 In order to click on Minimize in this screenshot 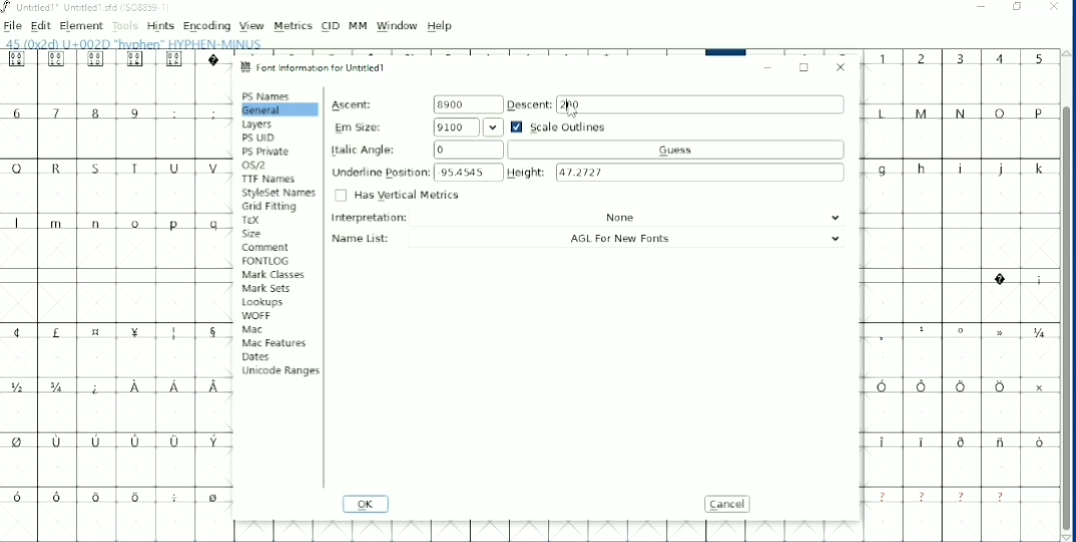, I will do `click(768, 68)`.